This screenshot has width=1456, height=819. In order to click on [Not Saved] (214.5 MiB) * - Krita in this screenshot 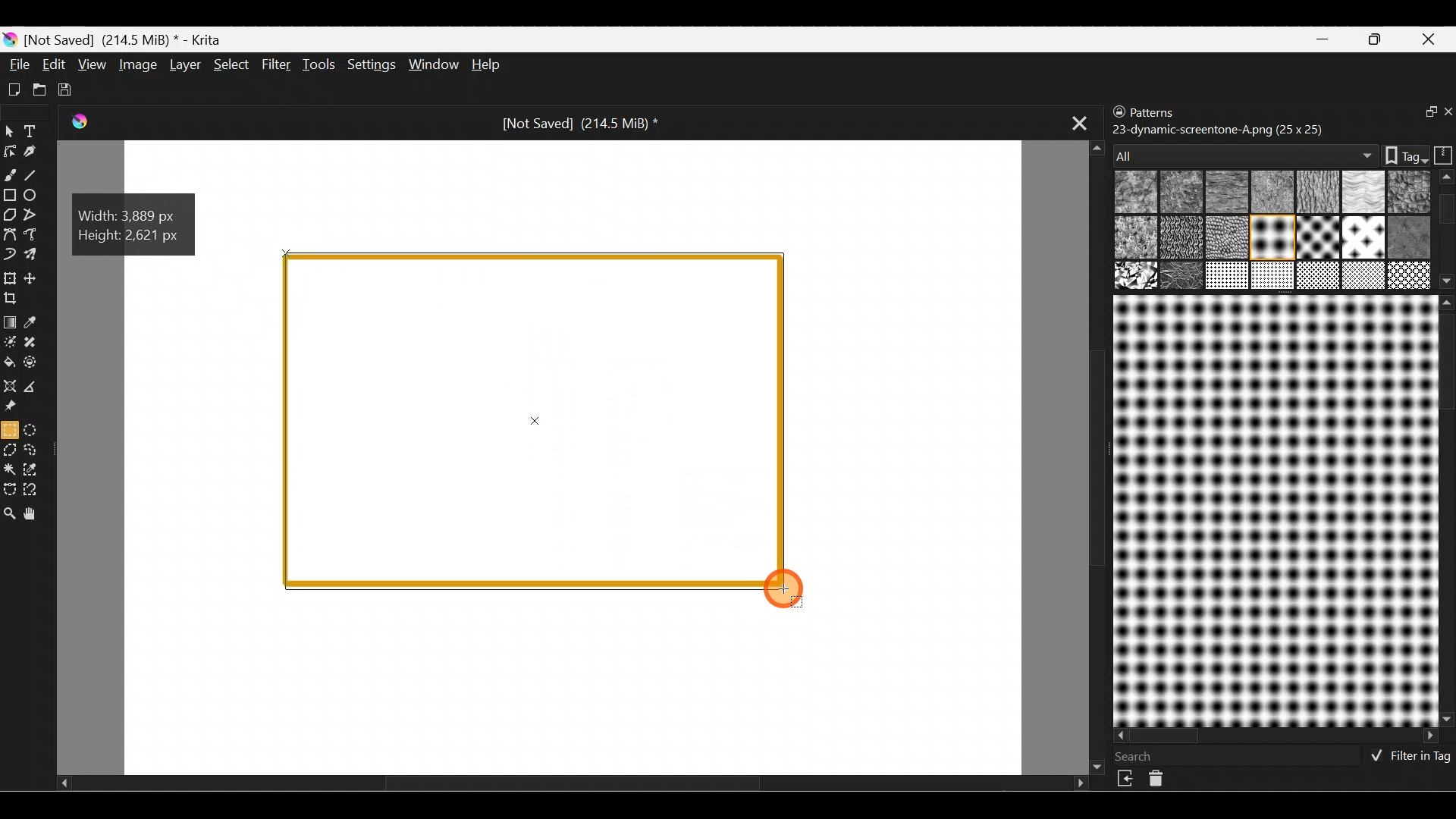, I will do `click(129, 40)`.